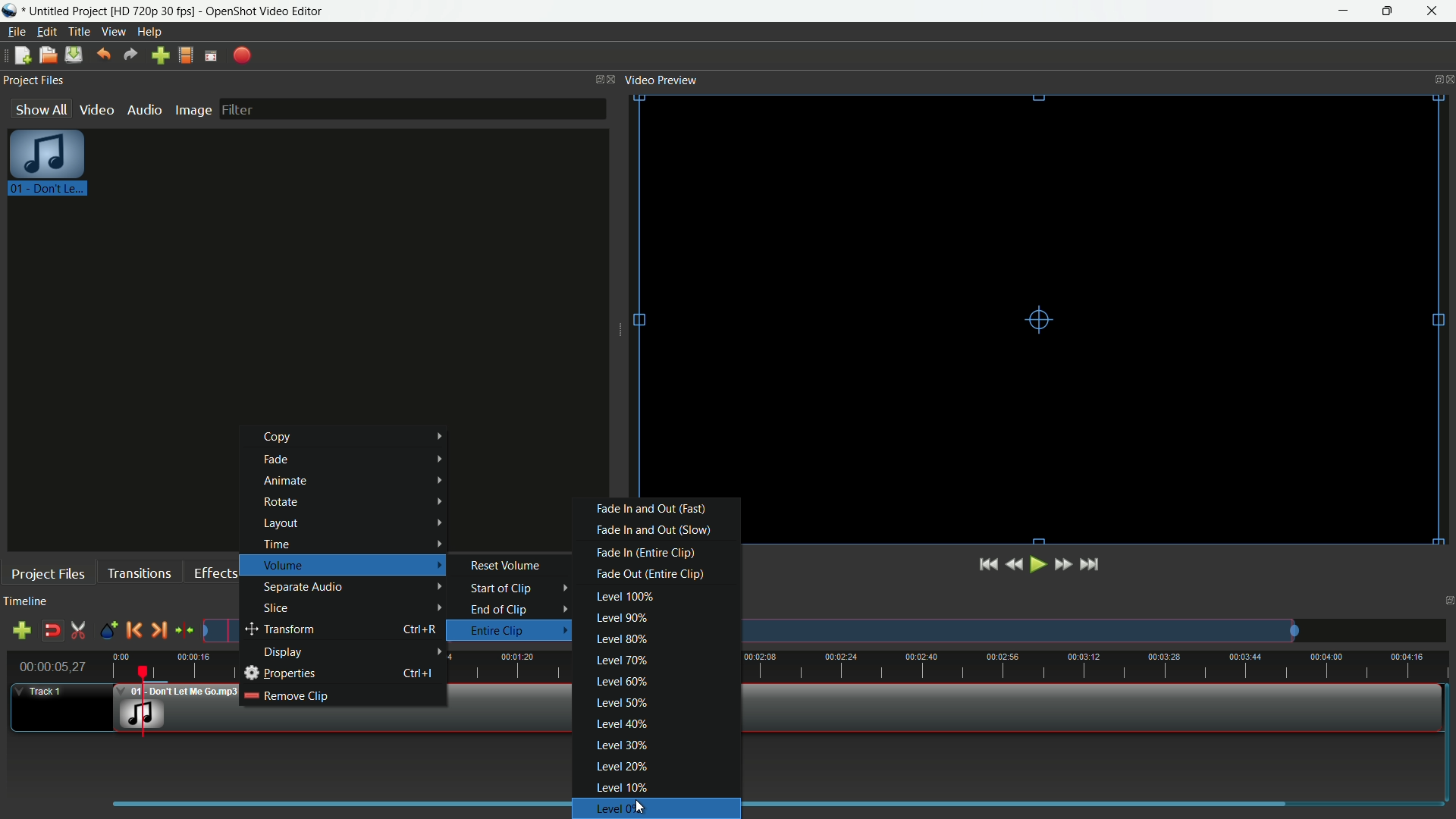 The width and height of the screenshot is (1456, 819). Describe the element at coordinates (40, 108) in the screenshot. I see `show all` at that location.